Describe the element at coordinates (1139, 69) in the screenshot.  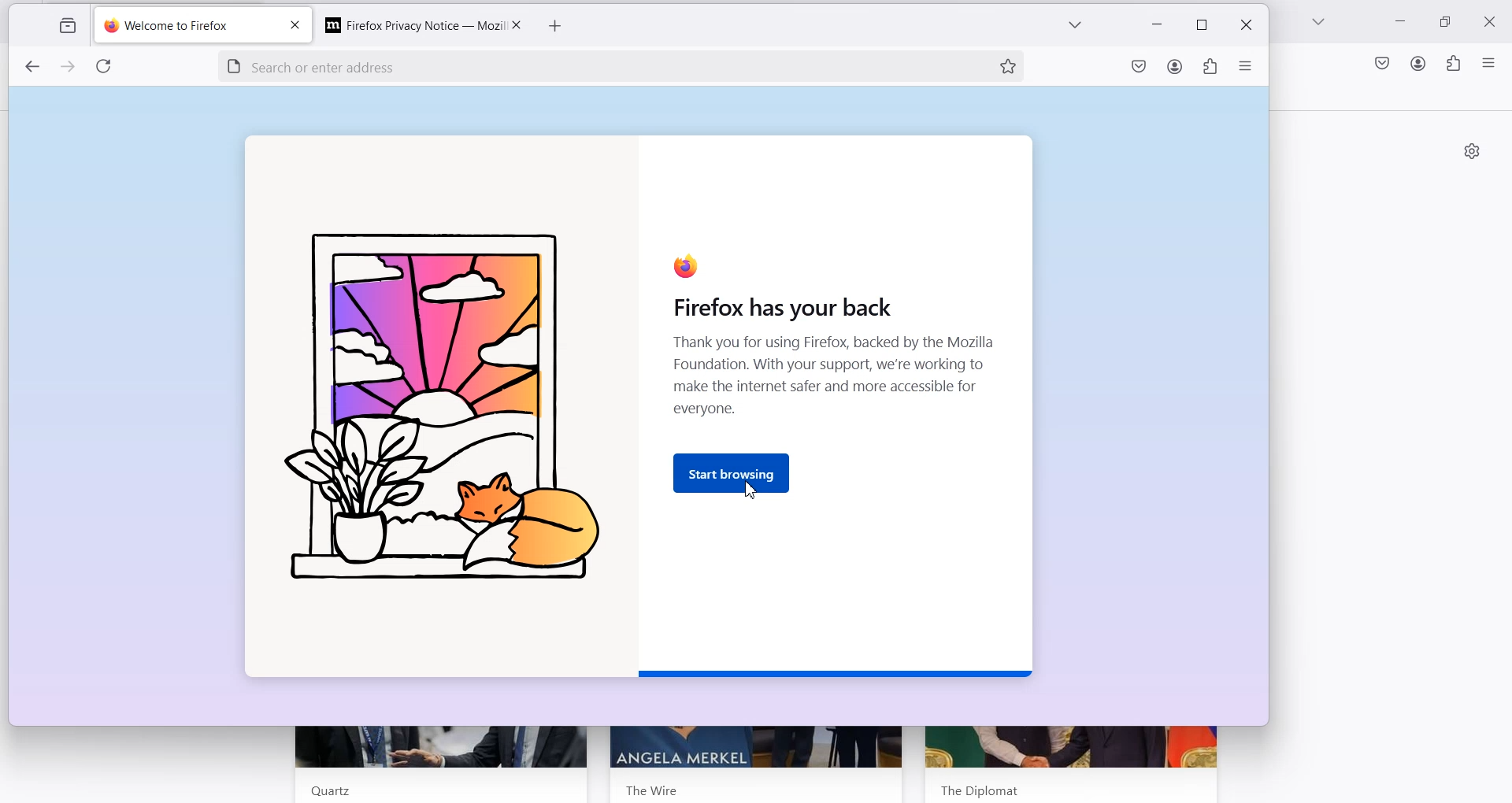
I see `save to pocket` at that location.